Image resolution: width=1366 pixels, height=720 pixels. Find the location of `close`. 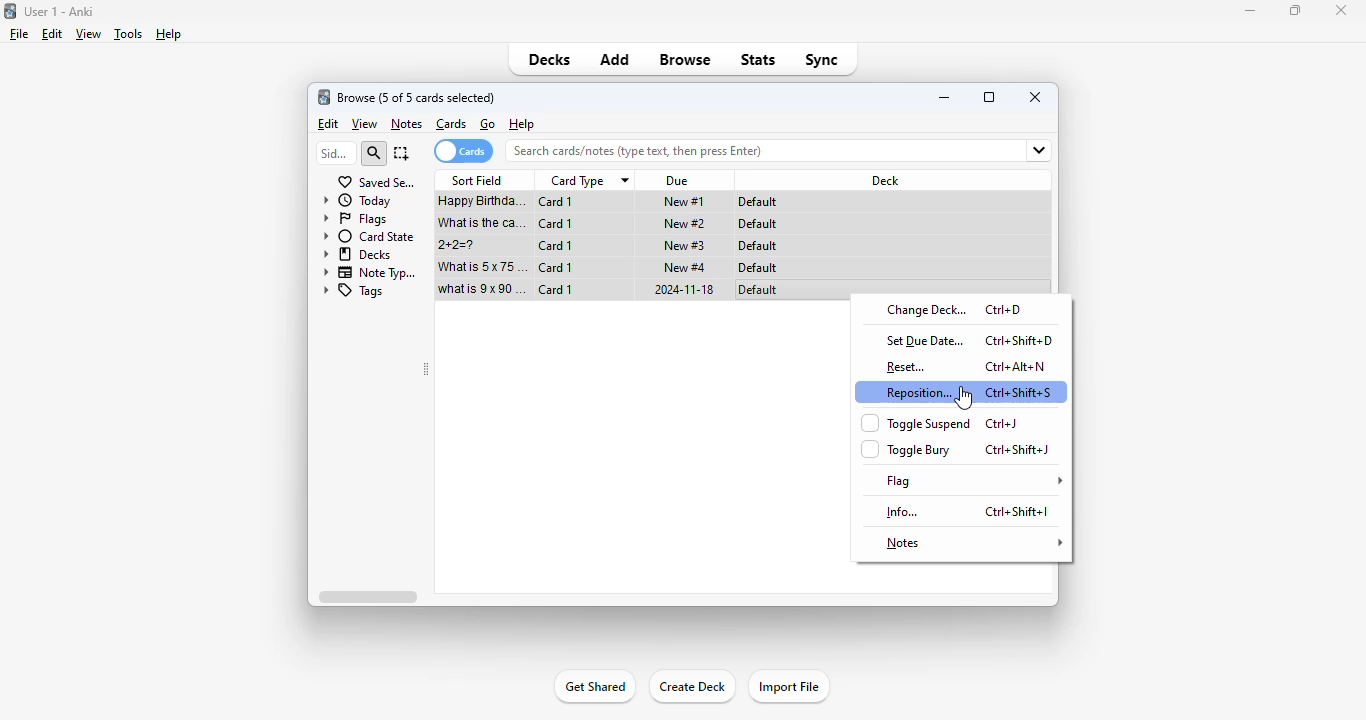

close is located at coordinates (1341, 11).